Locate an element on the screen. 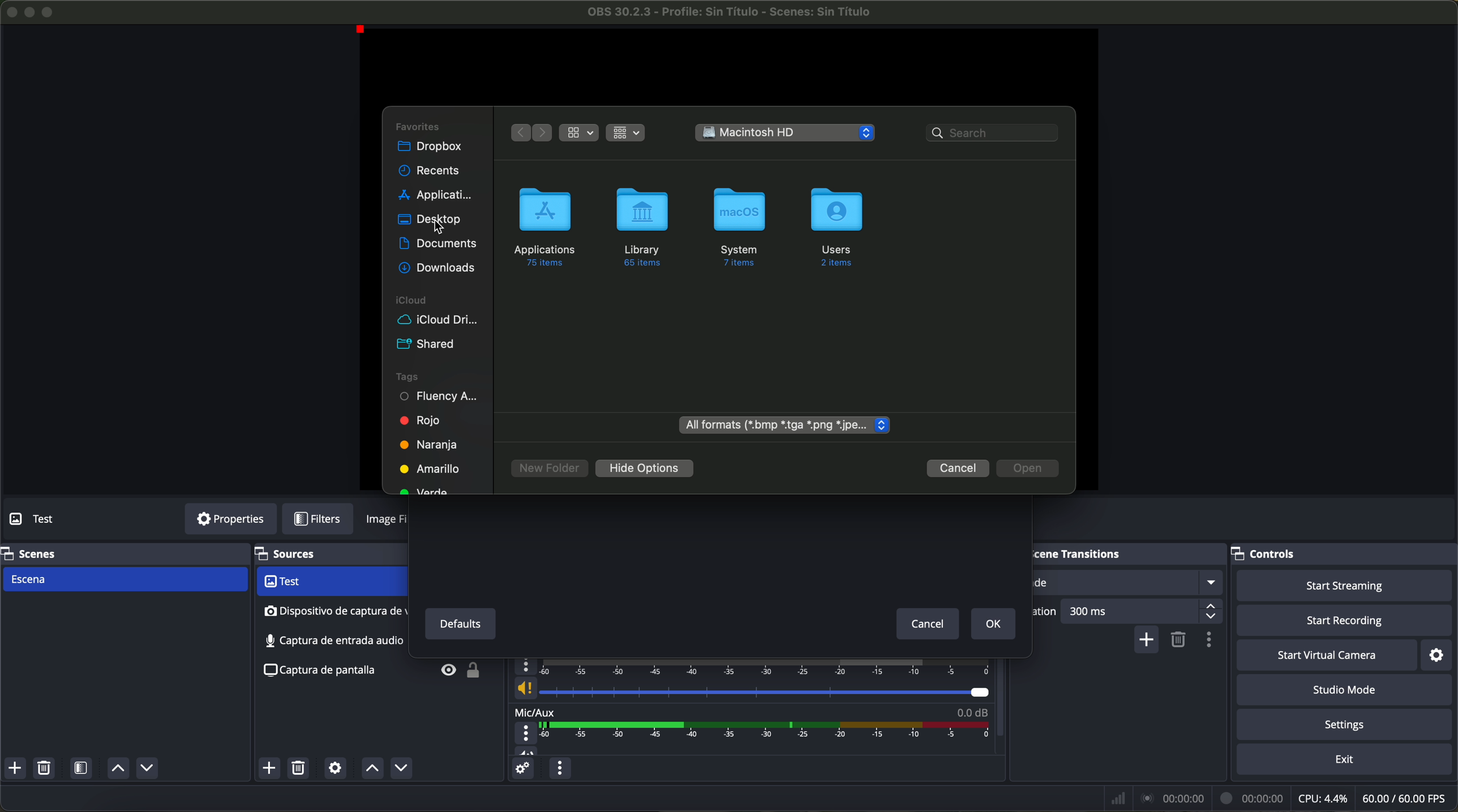 The image size is (1458, 812). audio mixer menu is located at coordinates (559, 768).